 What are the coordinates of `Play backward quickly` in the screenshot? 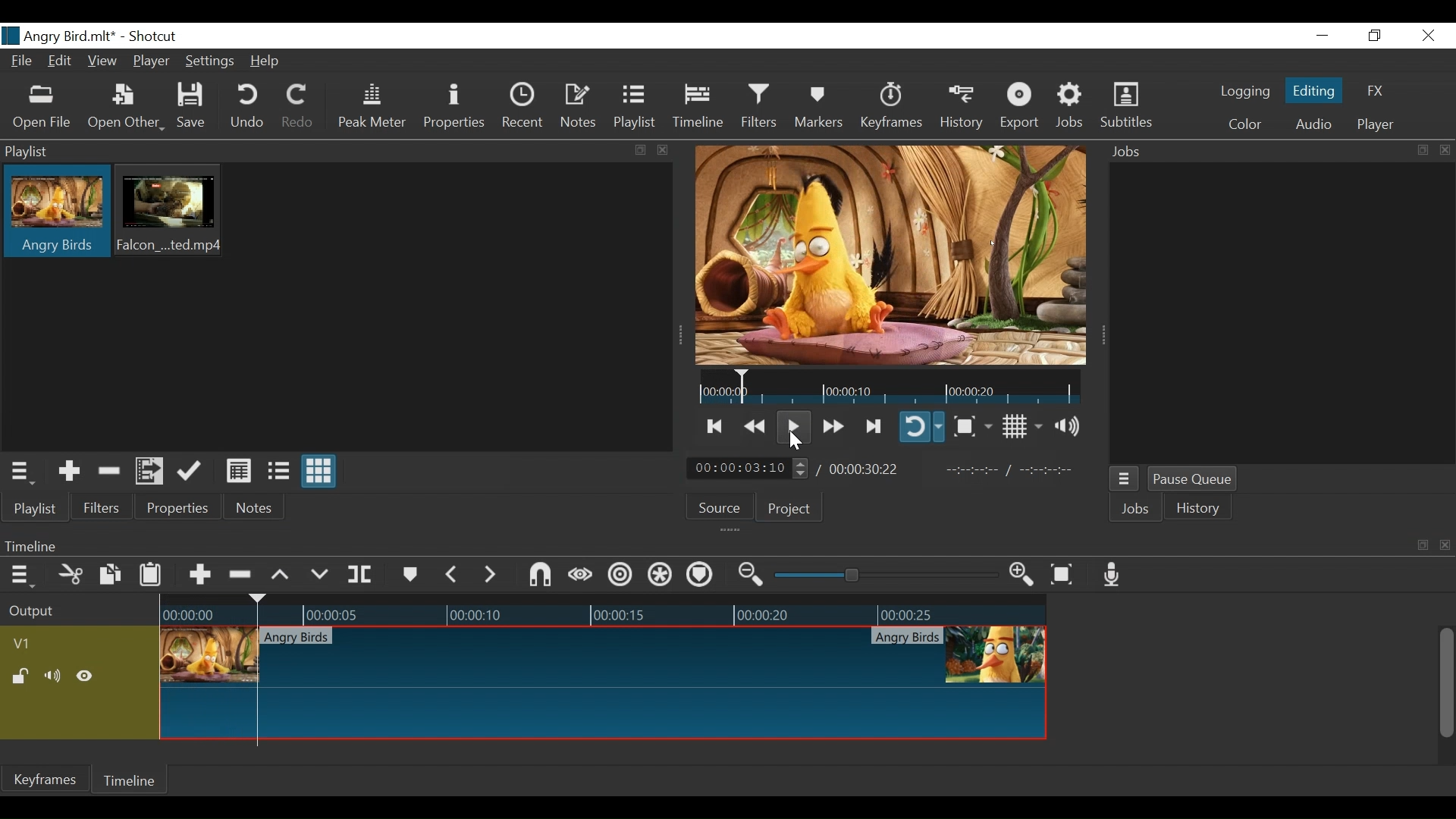 It's located at (757, 424).